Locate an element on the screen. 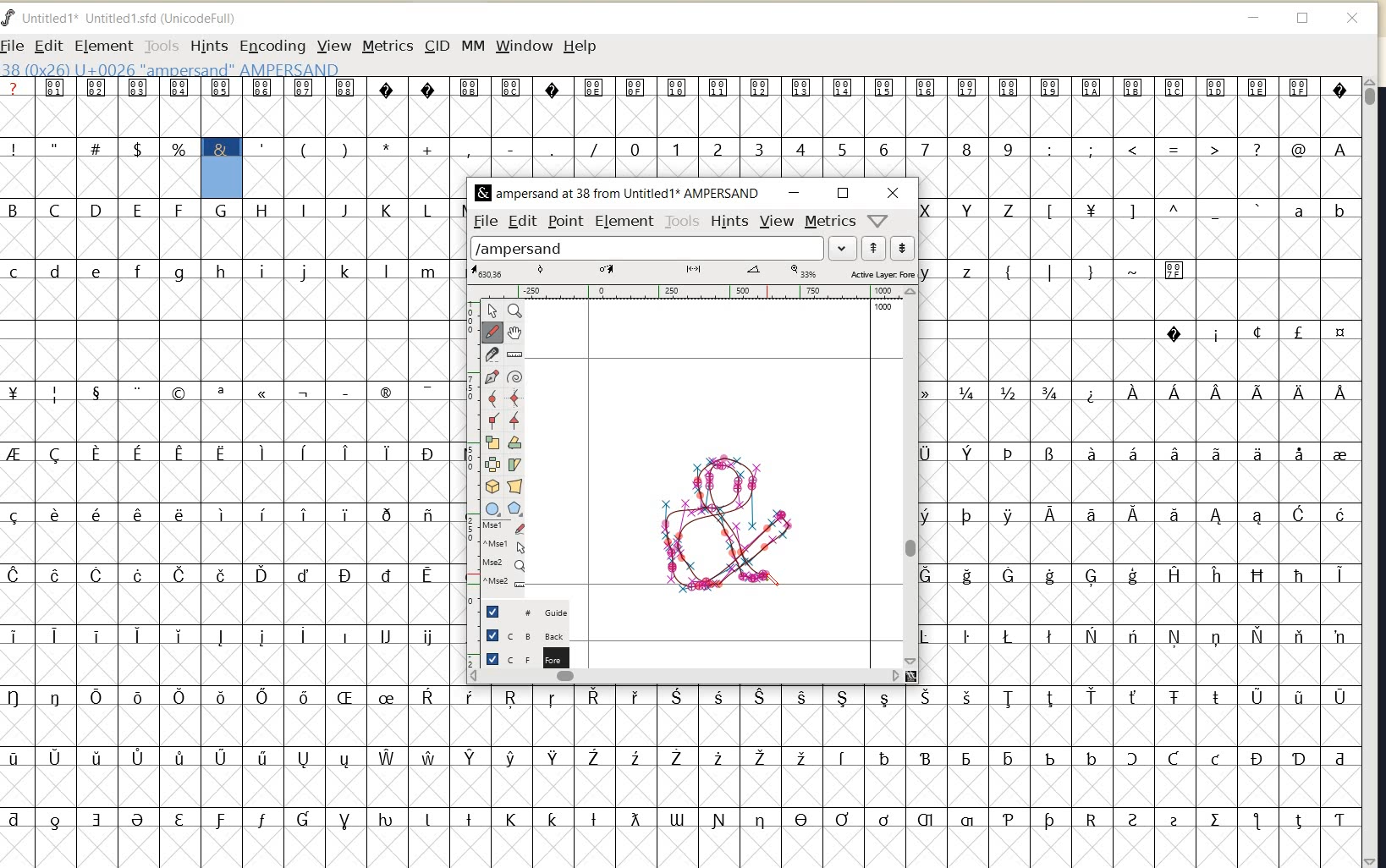 The width and height of the screenshot is (1386, 868). ENCODING is located at coordinates (272, 47).